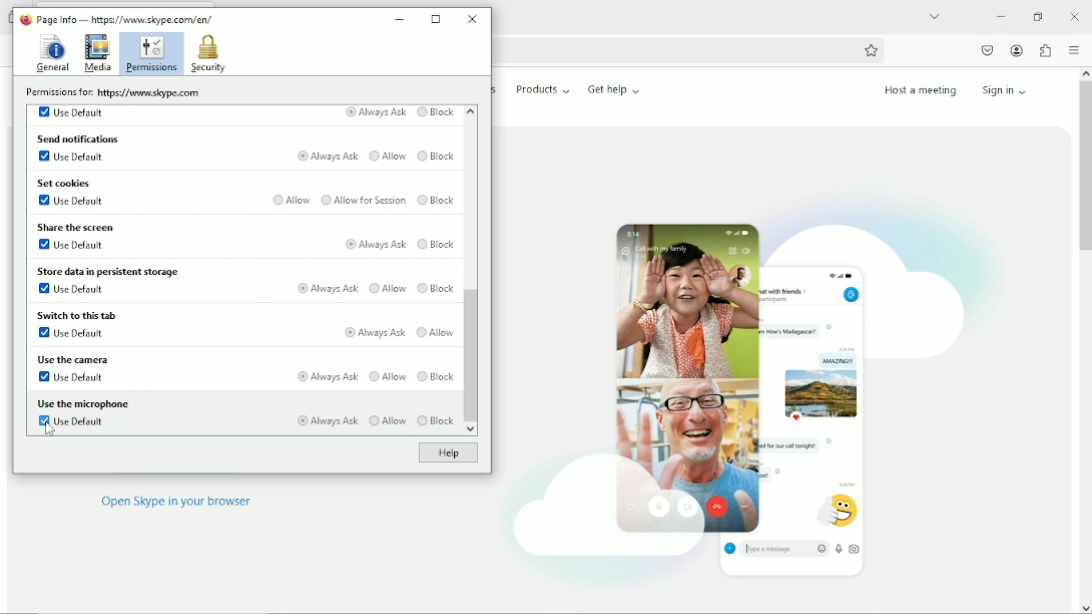  Describe the element at coordinates (375, 113) in the screenshot. I see `Always Ask` at that location.